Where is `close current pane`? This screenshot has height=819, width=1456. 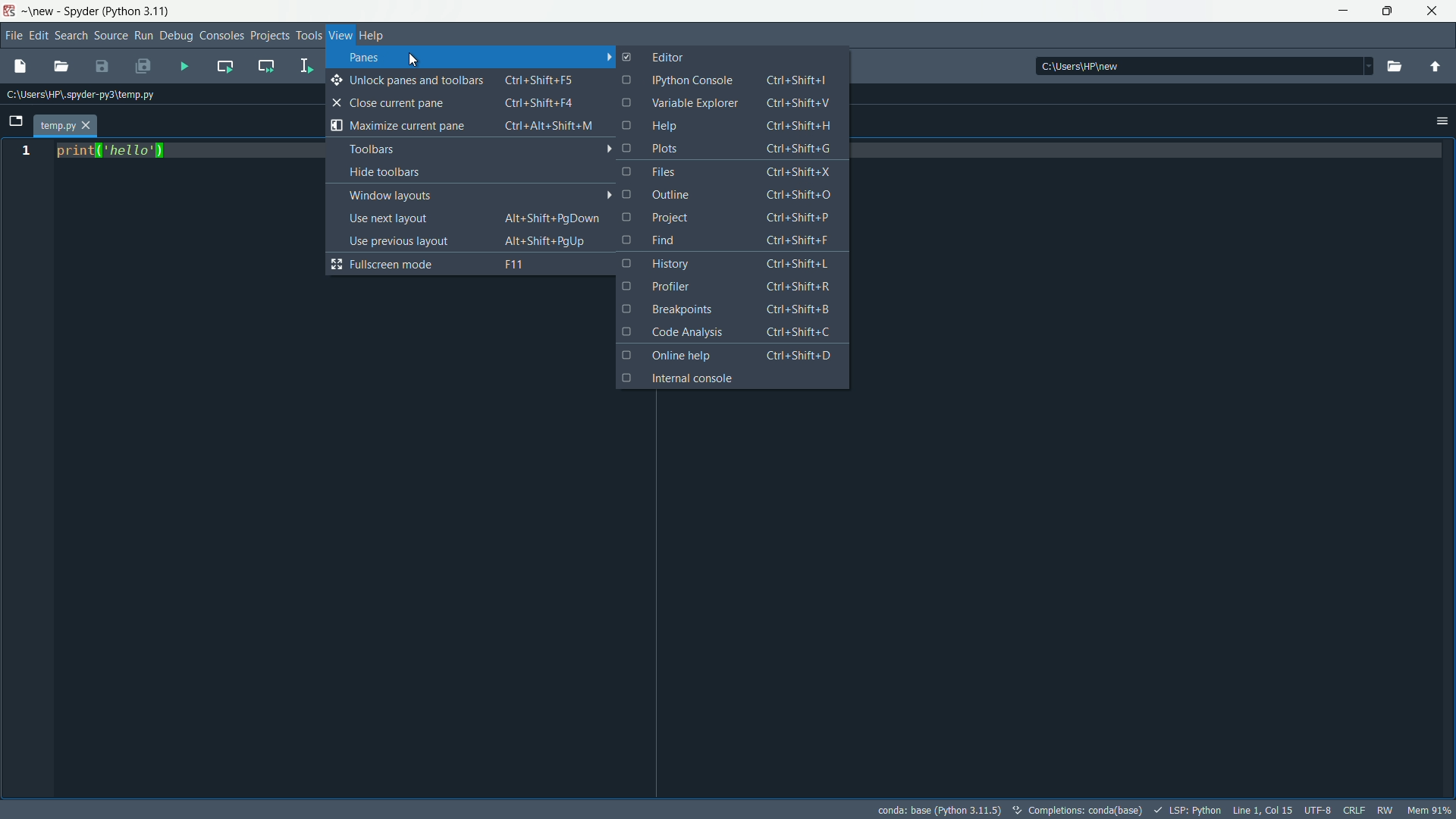
close current pane is located at coordinates (466, 104).